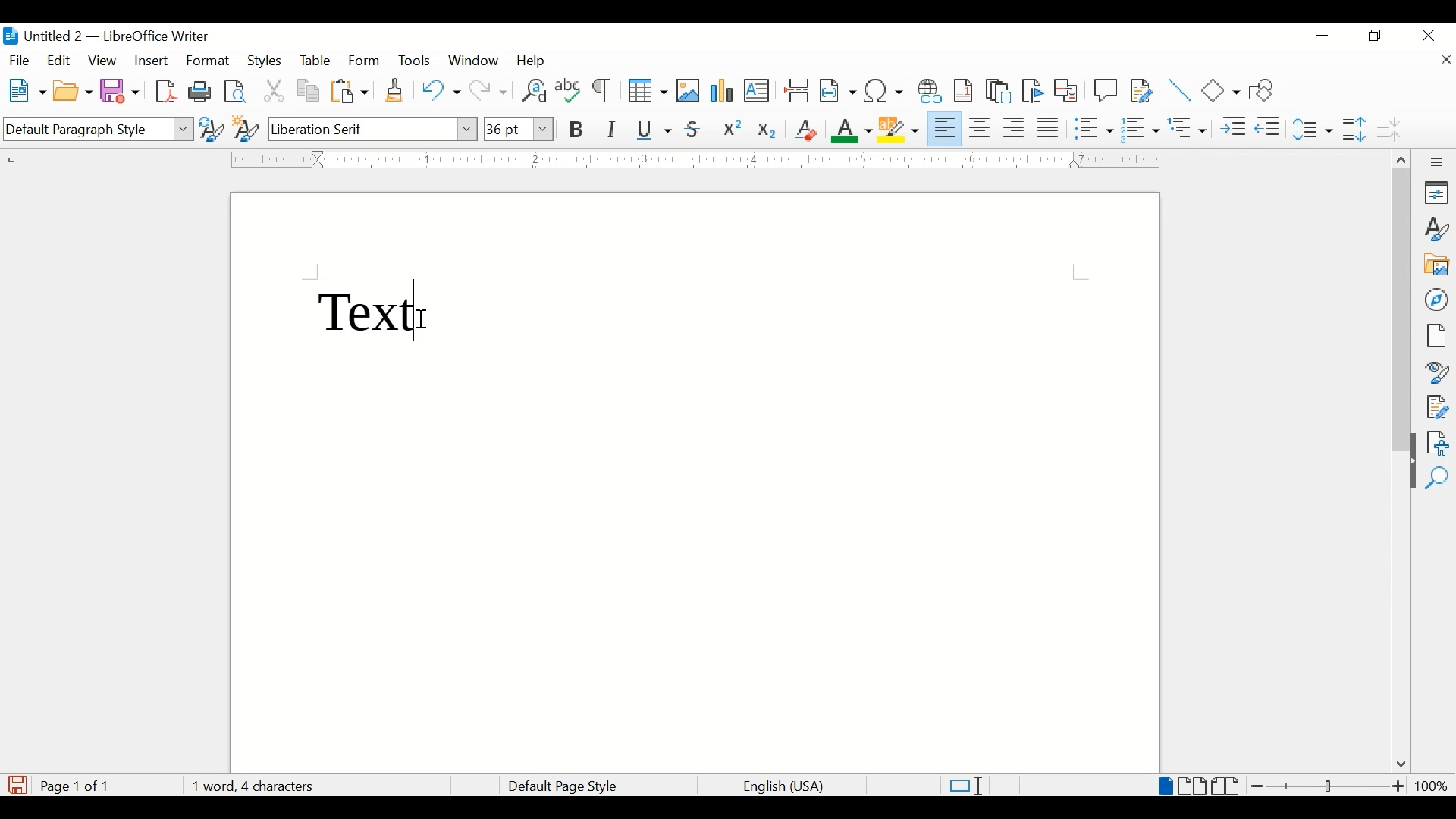  I want to click on close, so click(1429, 34).